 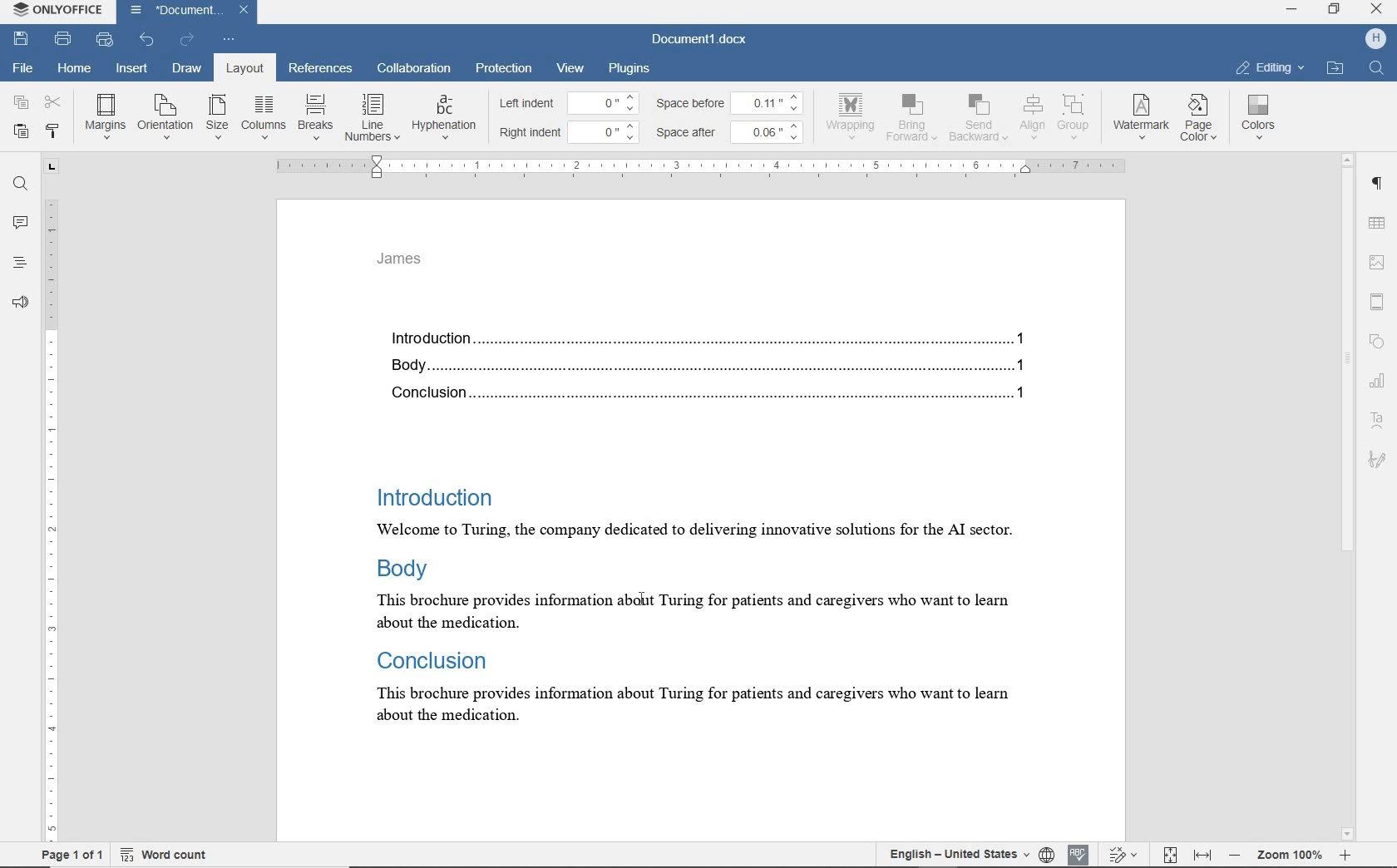 I want to click on system name, so click(x=60, y=12).